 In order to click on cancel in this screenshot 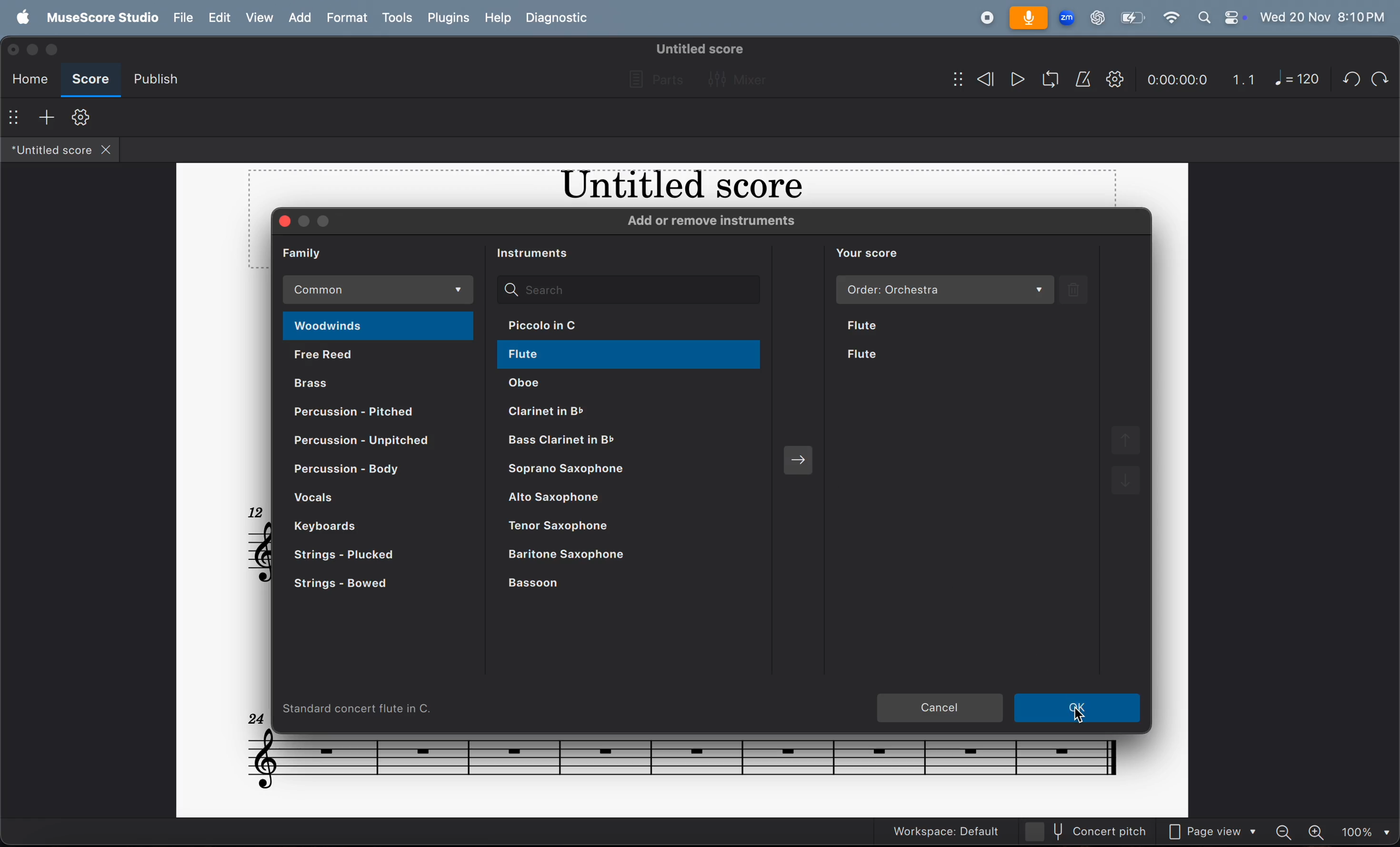, I will do `click(940, 709)`.